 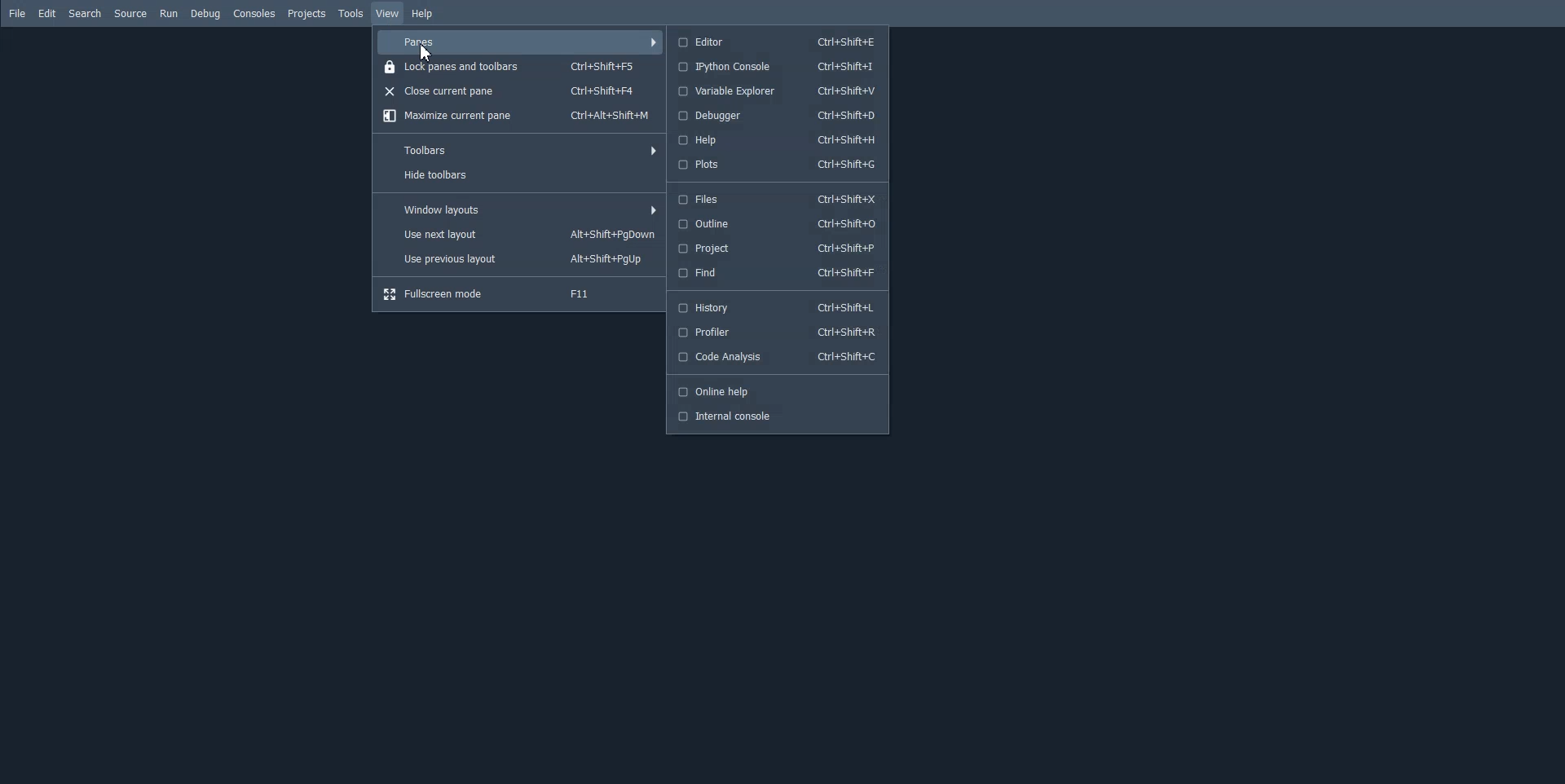 I want to click on Projects, so click(x=306, y=14).